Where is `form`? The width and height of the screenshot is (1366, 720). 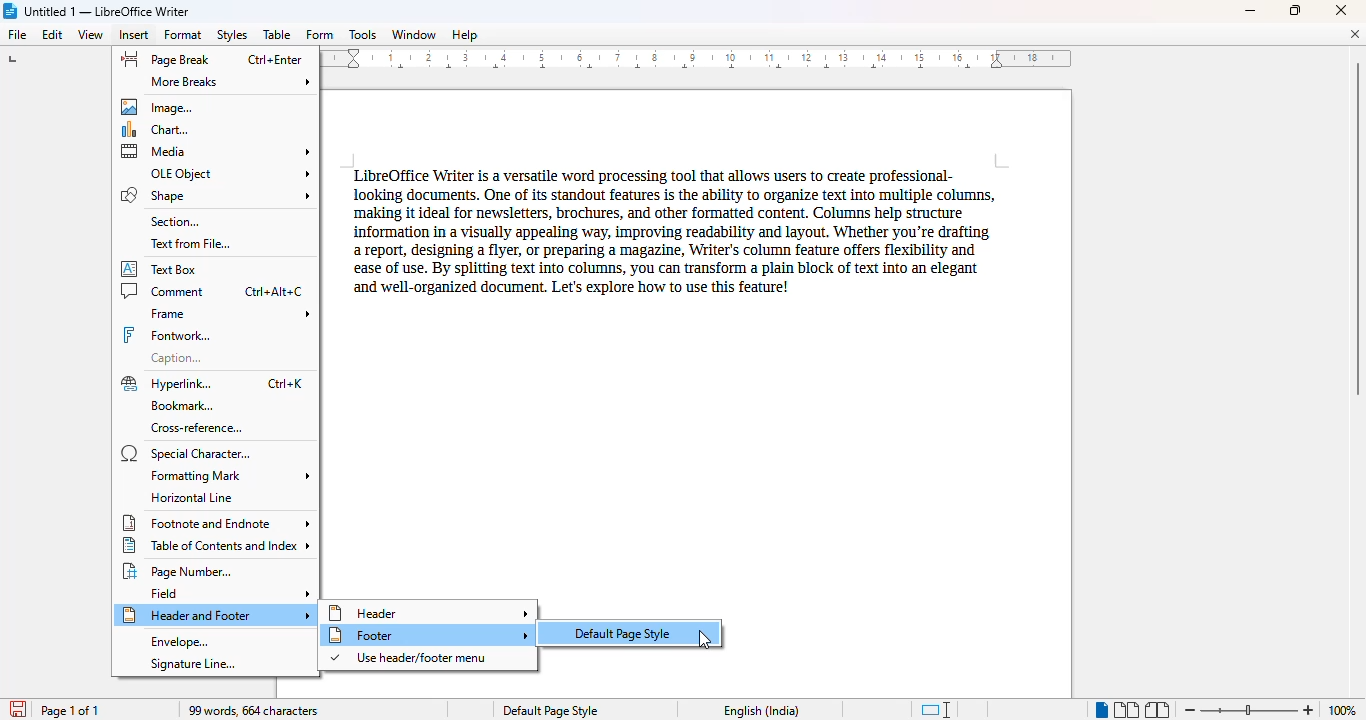 form is located at coordinates (319, 35).